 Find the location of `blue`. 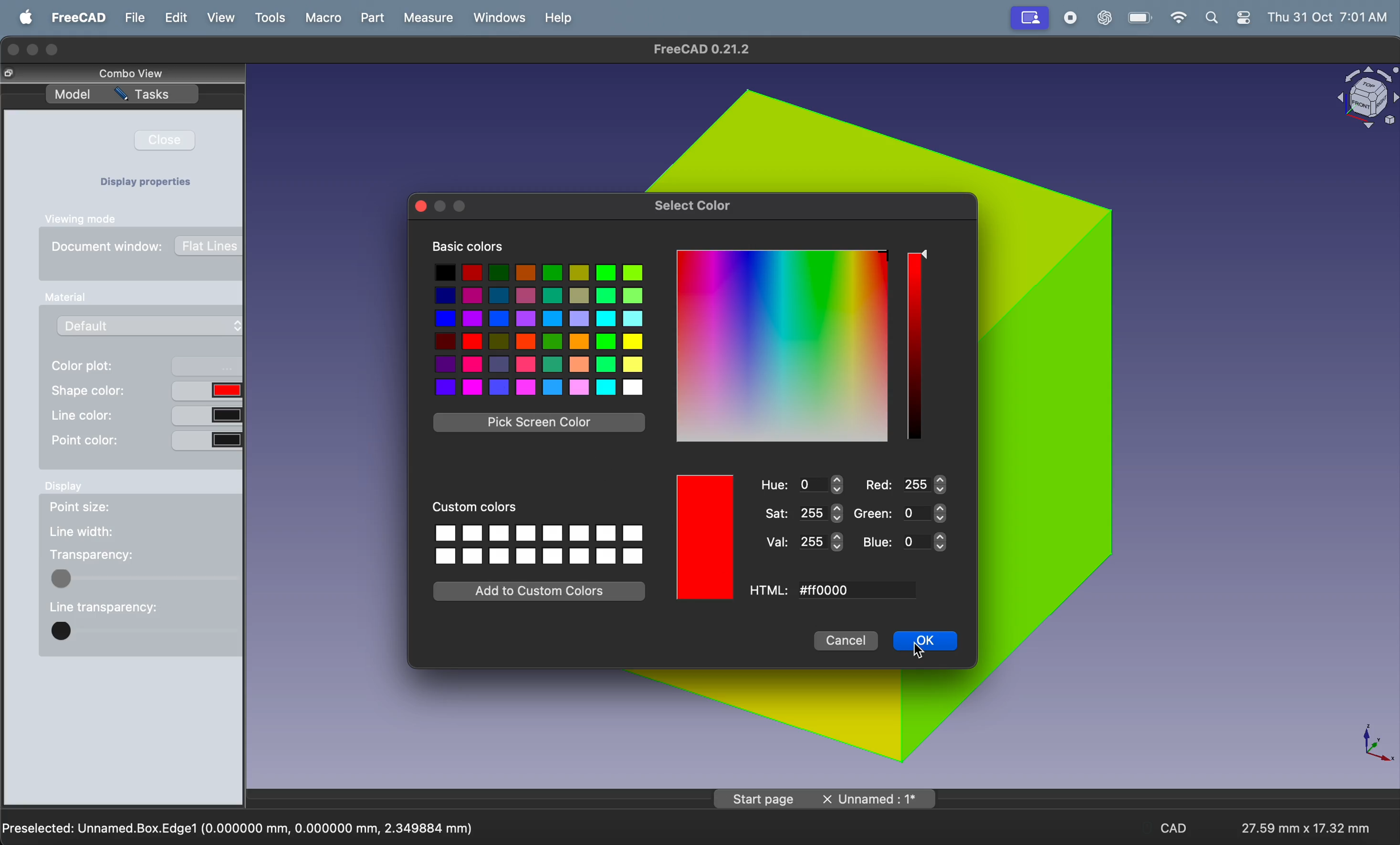

blue is located at coordinates (902, 543).